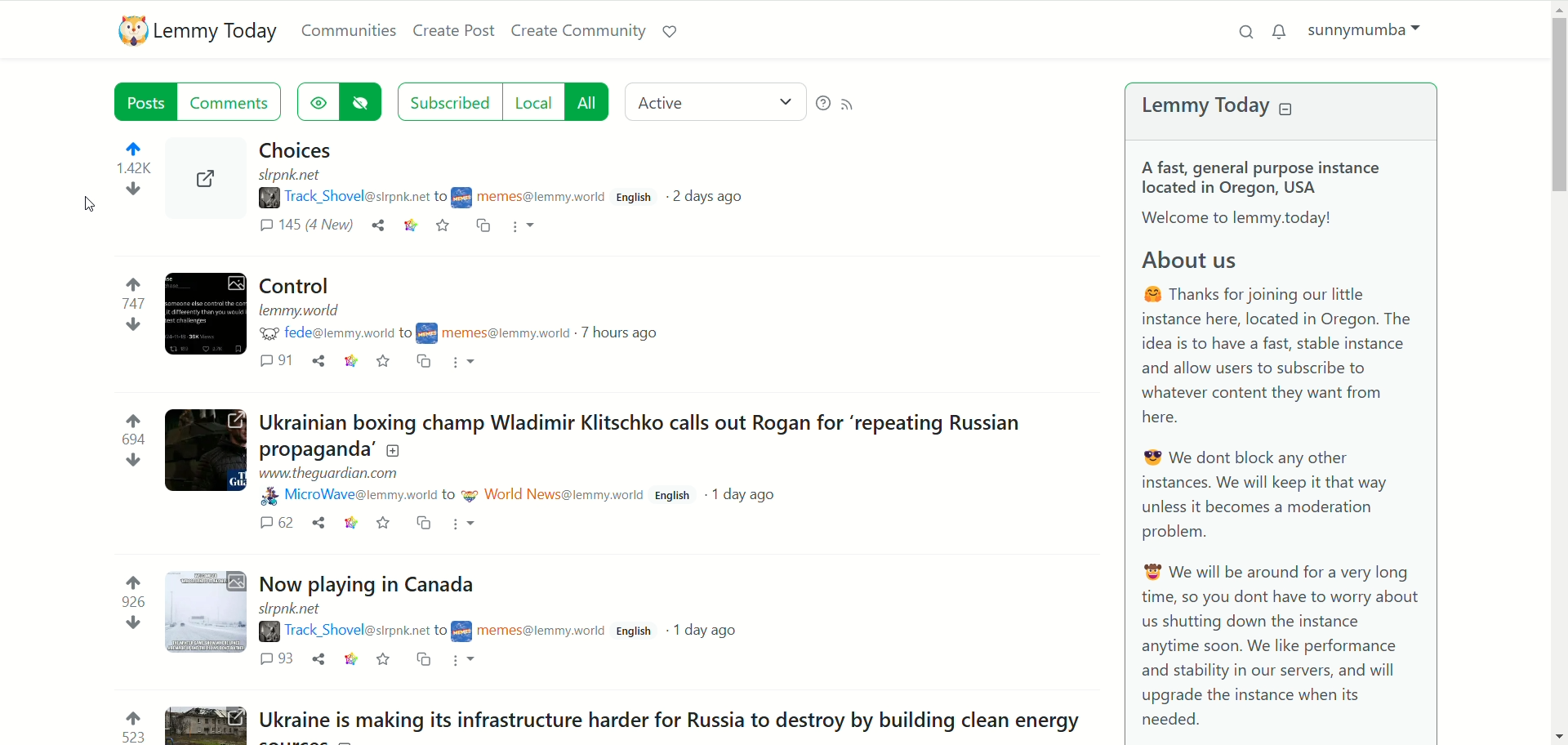  I want to click on ® We dont block any other instances. We will keep it that way unless it becomes a moderation problem., so click(1278, 497).